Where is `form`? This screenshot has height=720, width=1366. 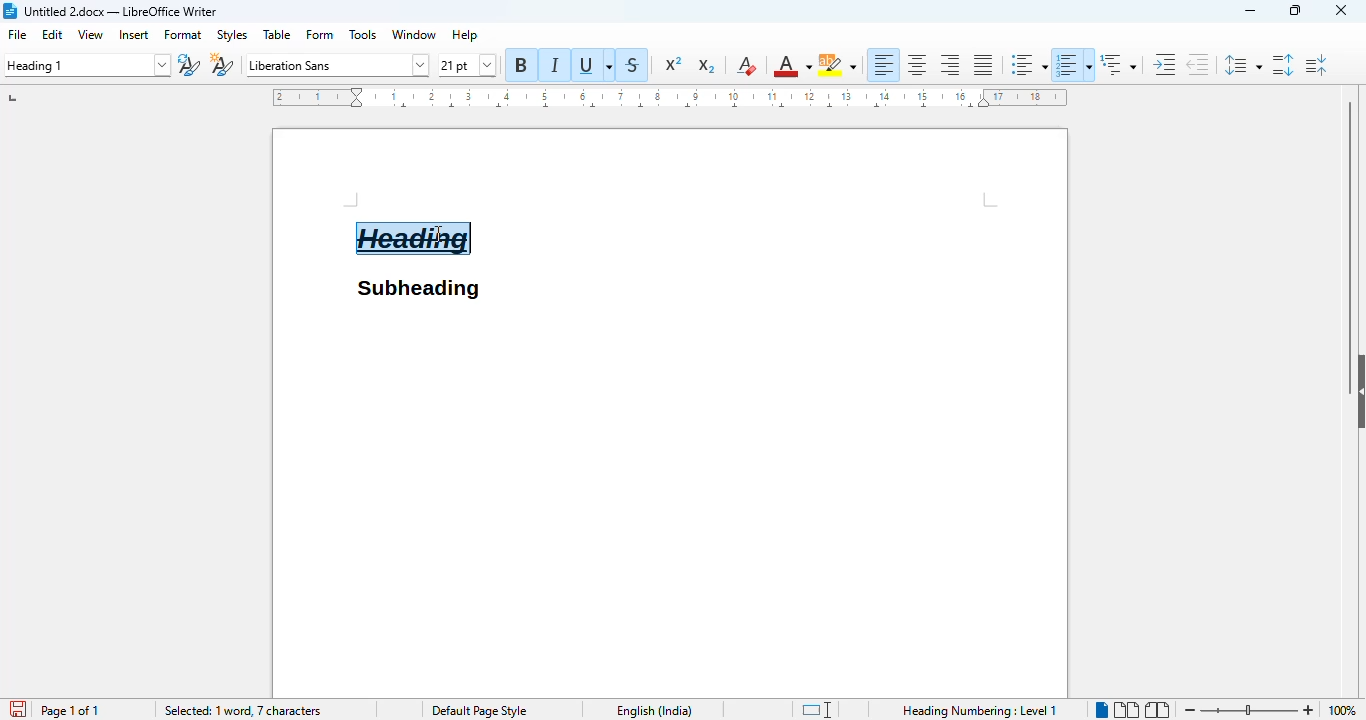 form is located at coordinates (321, 35).